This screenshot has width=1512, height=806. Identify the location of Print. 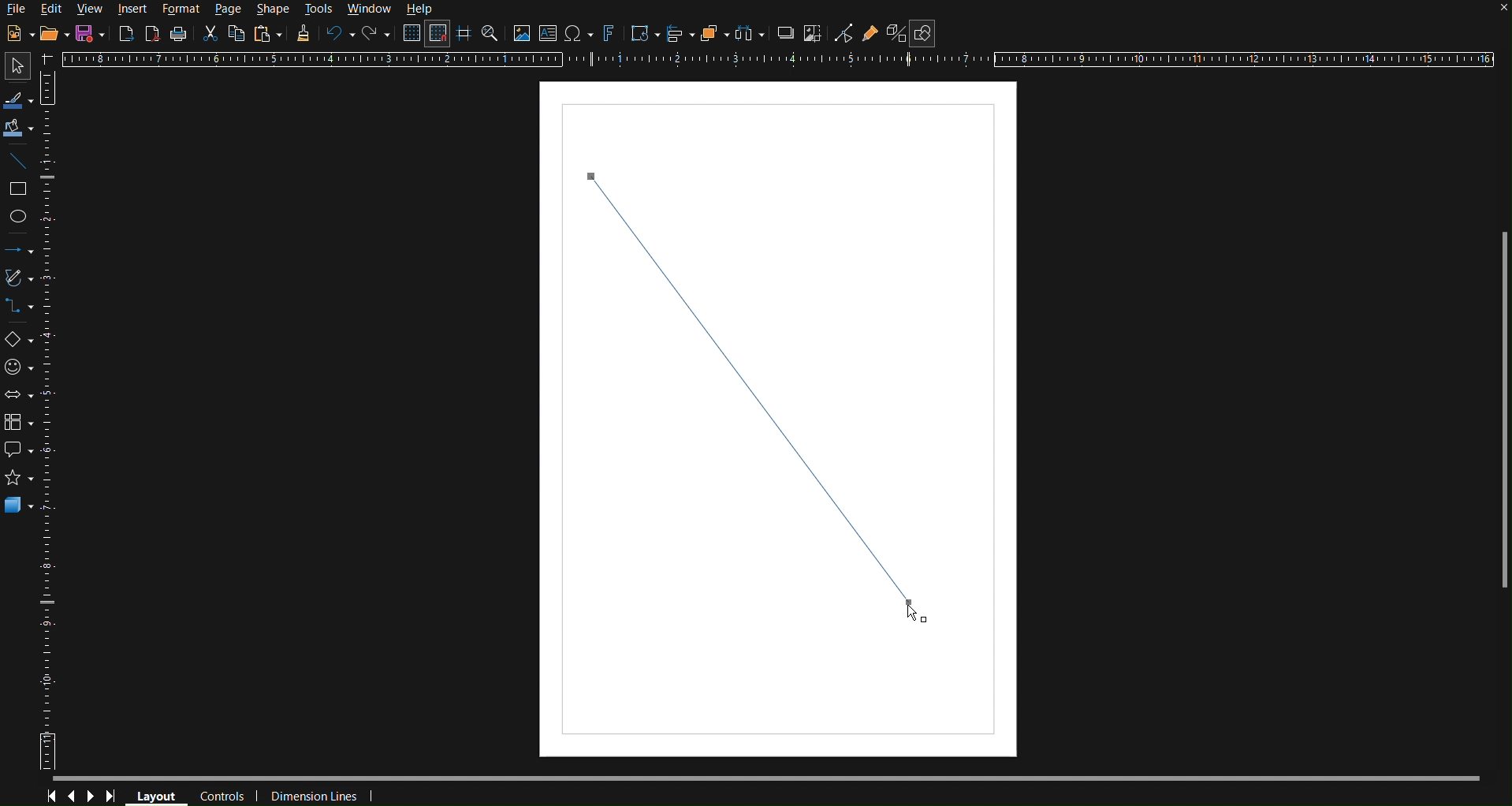
(181, 34).